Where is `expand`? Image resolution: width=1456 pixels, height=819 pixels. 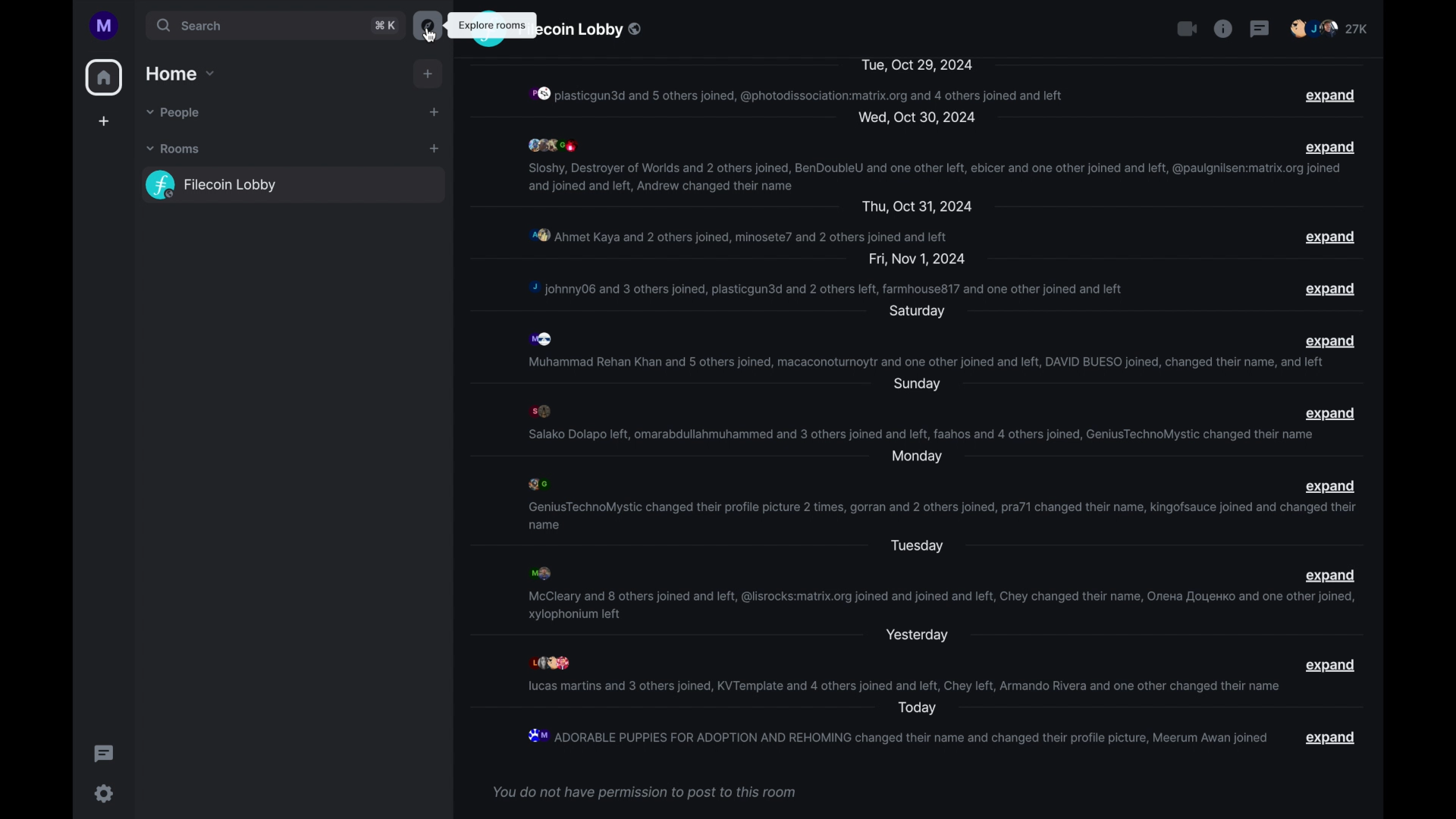
expand is located at coordinates (1330, 340).